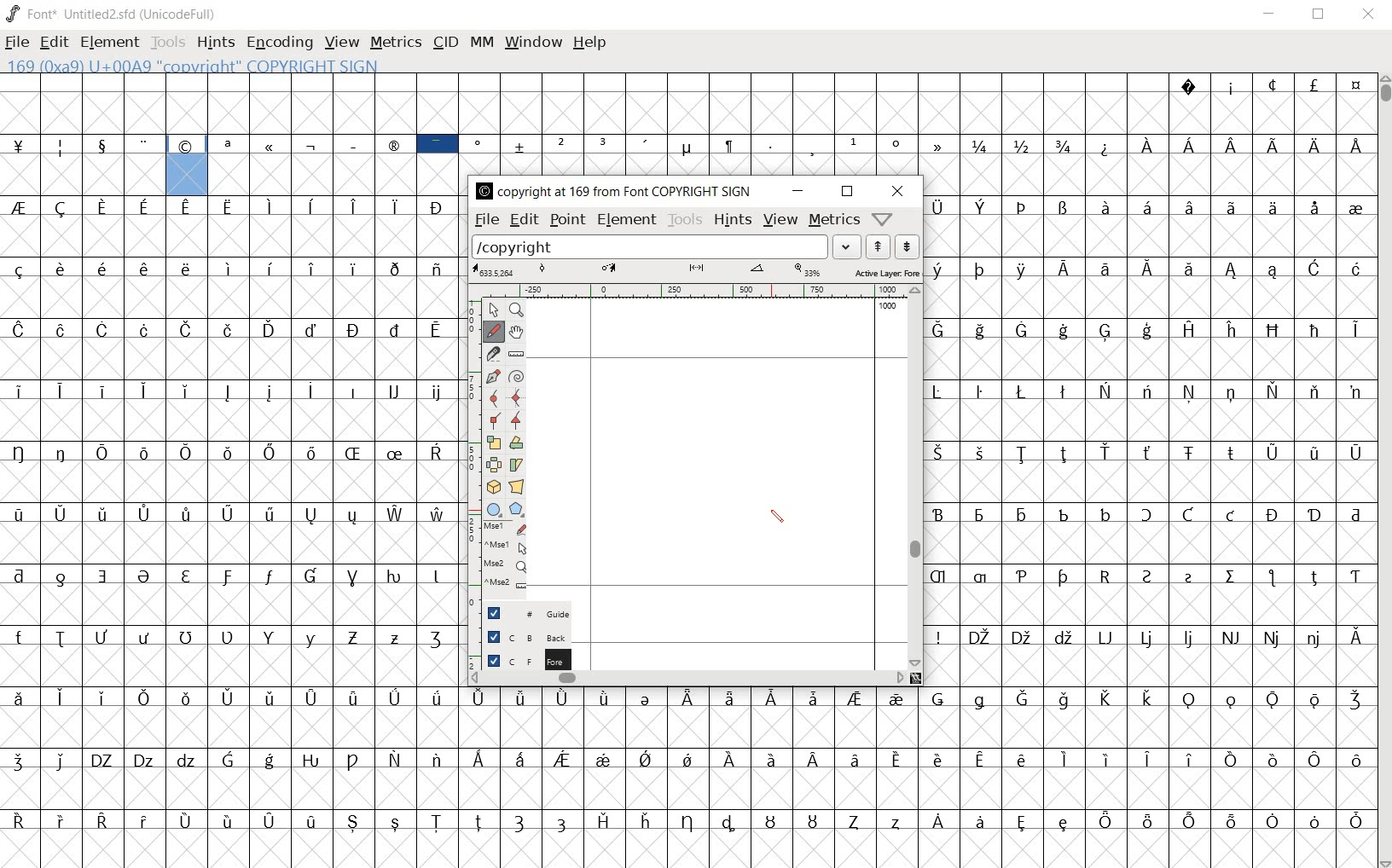  What do you see at coordinates (516, 510) in the screenshot?
I see `polygon or star` at bounding box center [516, 510].